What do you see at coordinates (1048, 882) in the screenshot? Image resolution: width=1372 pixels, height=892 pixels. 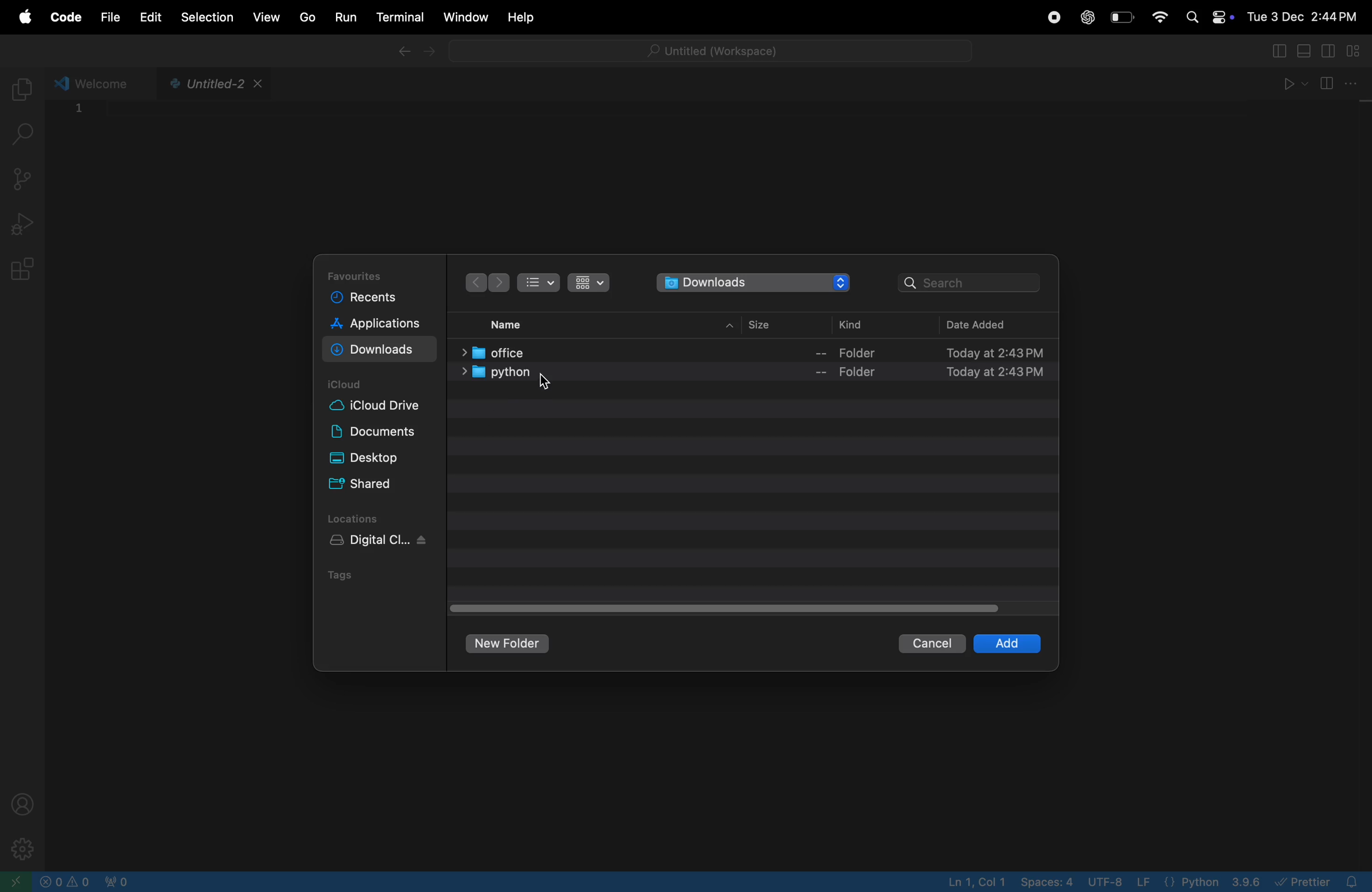 I see `space 4` at bounding box center [1048, 882].